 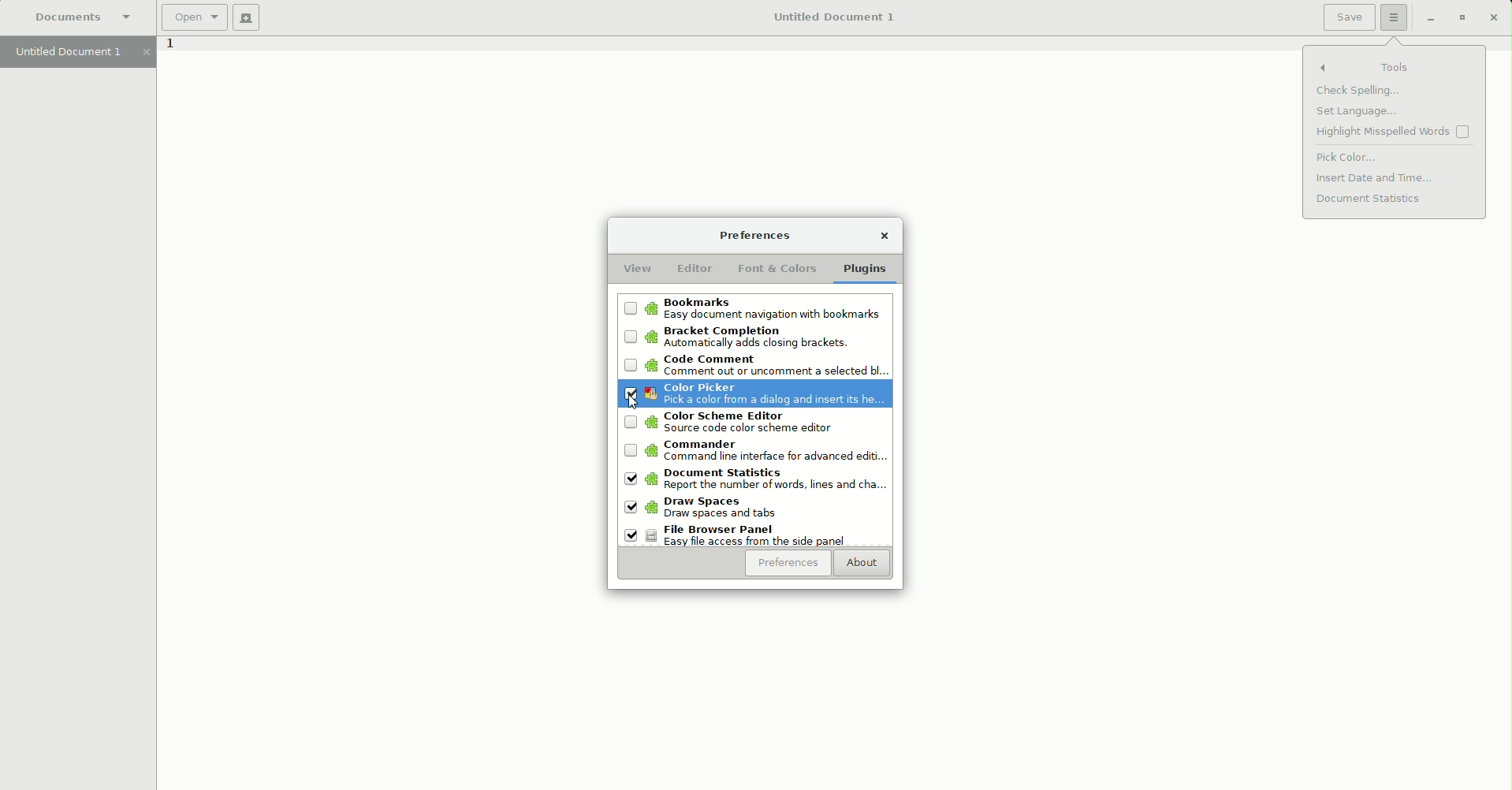 What do you see at coordinates (635, 399) in the screenshot?
I see `Cursor` at bounding box center [635, 399].